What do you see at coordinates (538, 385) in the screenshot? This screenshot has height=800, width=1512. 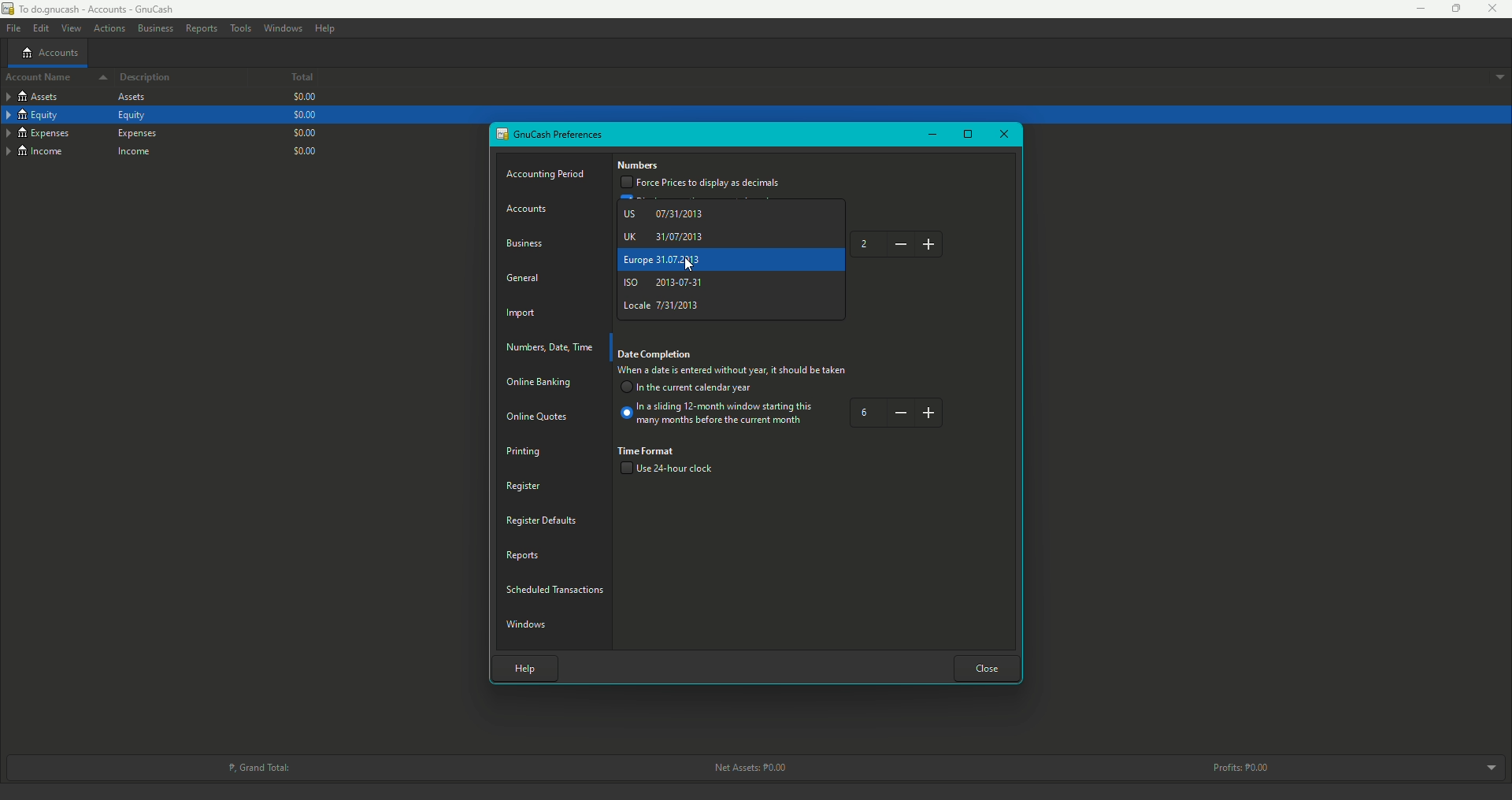 I see `Online banking` at bounding box center [538, 385].